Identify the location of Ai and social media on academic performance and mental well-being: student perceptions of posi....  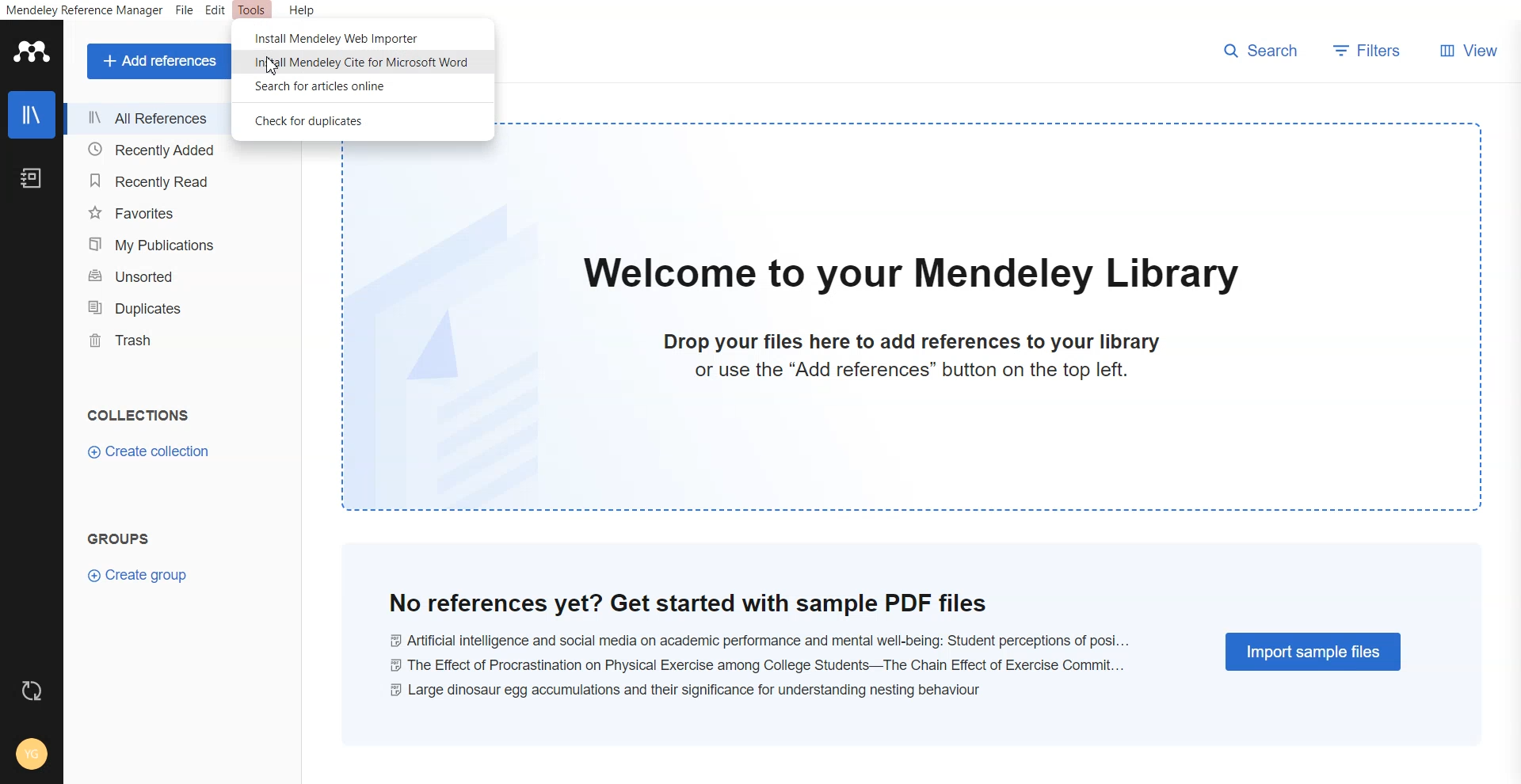
(757, 641).